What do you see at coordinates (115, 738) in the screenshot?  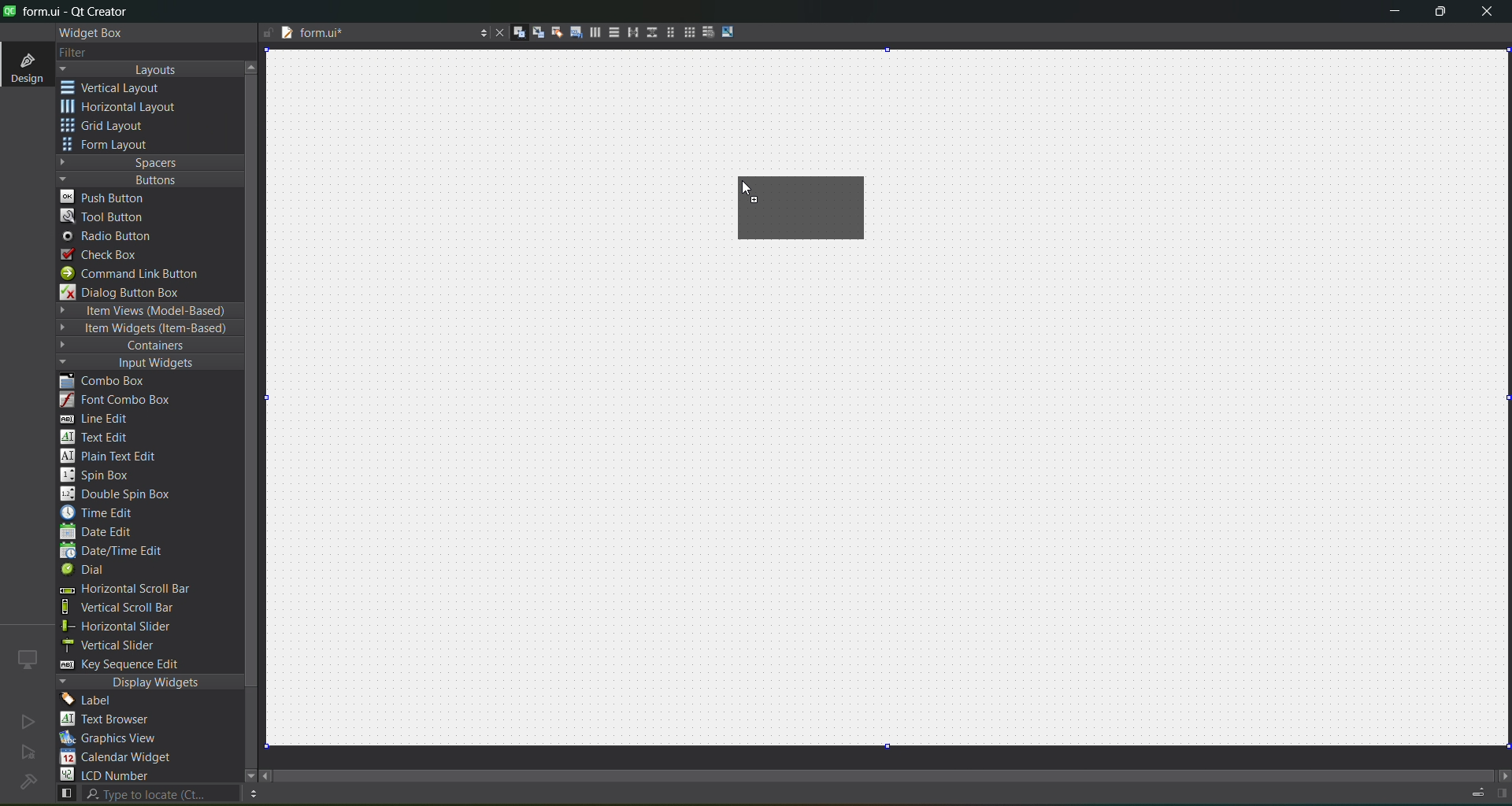 I see `graphics` at bounding box center [115, 738].